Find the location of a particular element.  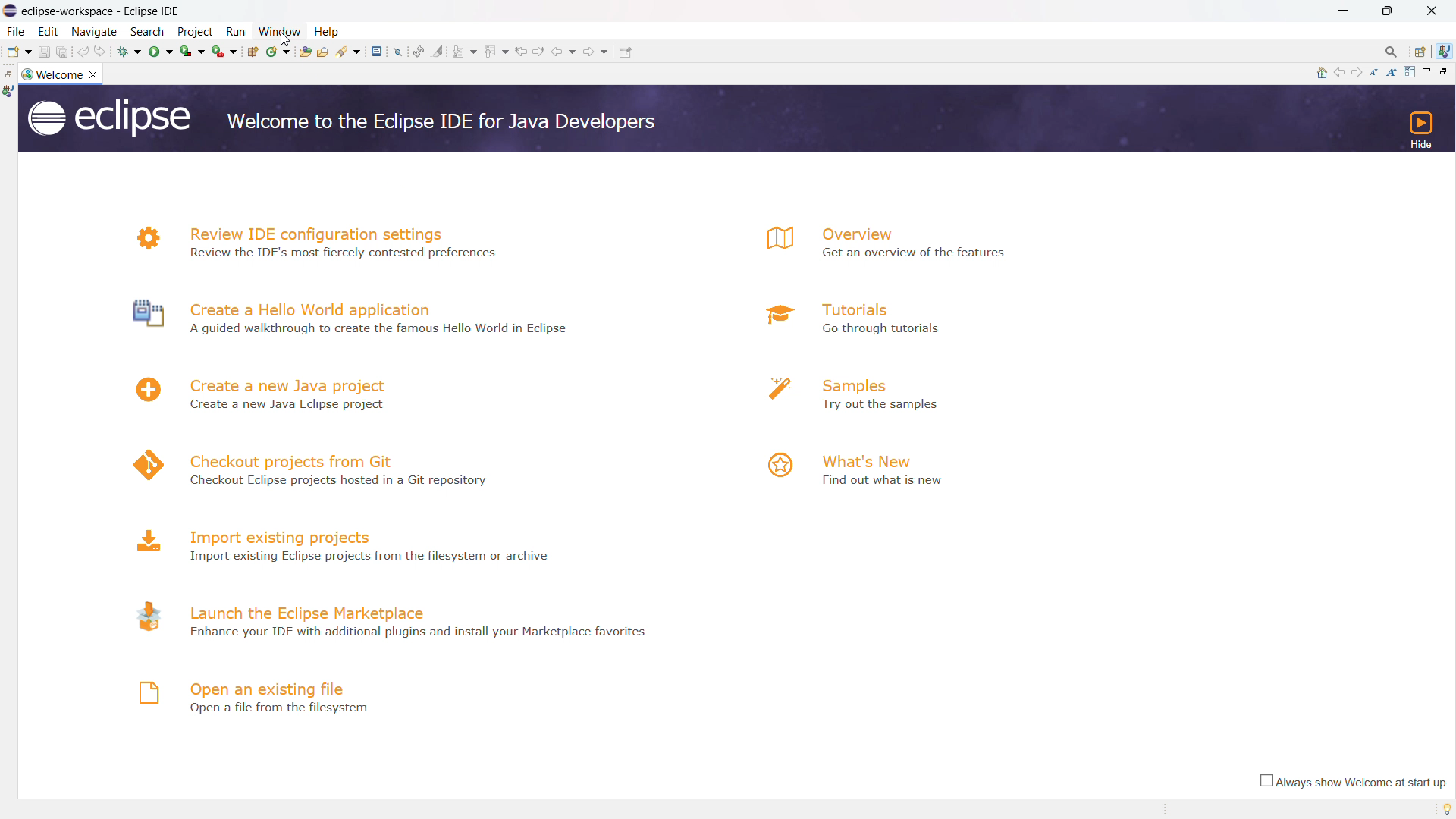

next annotation is located at coordinates (464, 52).